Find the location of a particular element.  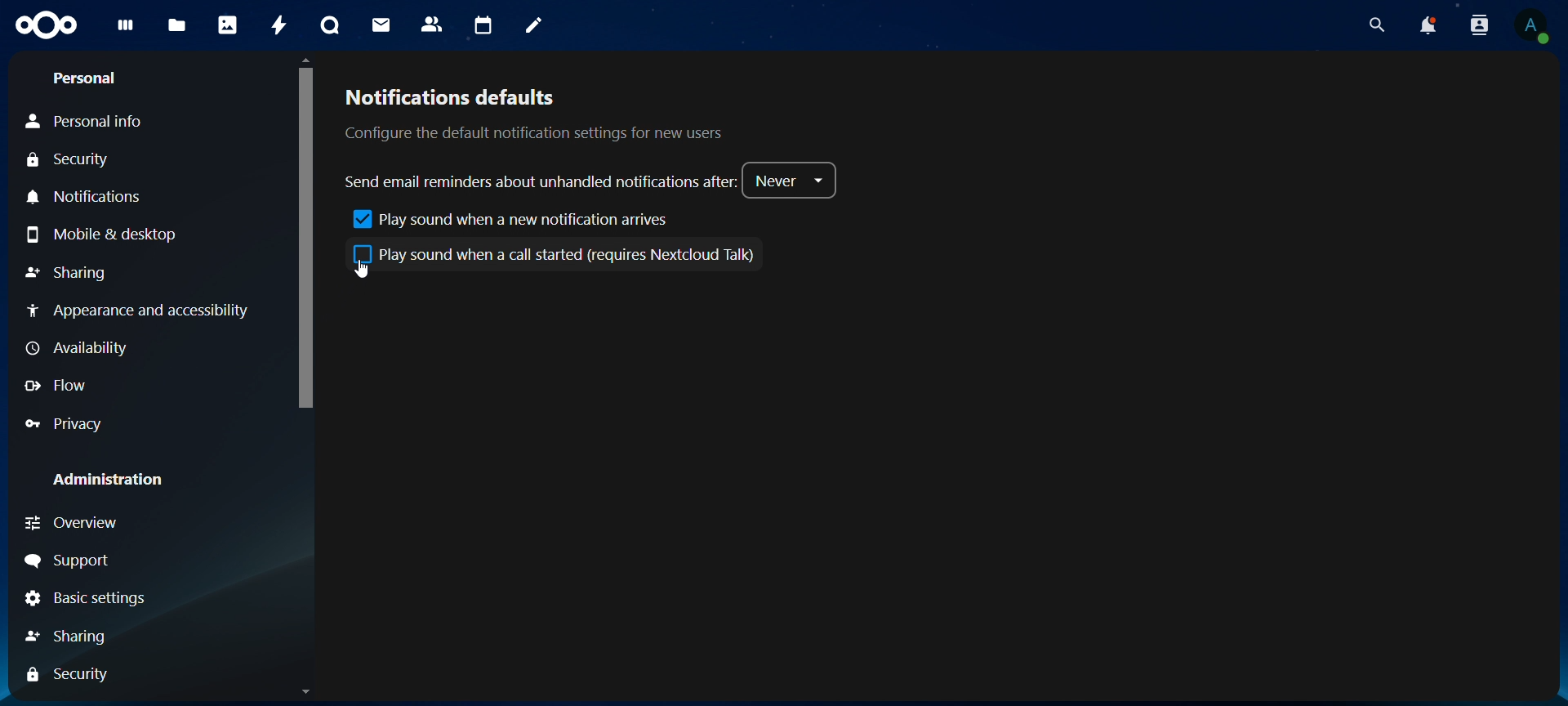

contacts is located at coordinates (432, 26).